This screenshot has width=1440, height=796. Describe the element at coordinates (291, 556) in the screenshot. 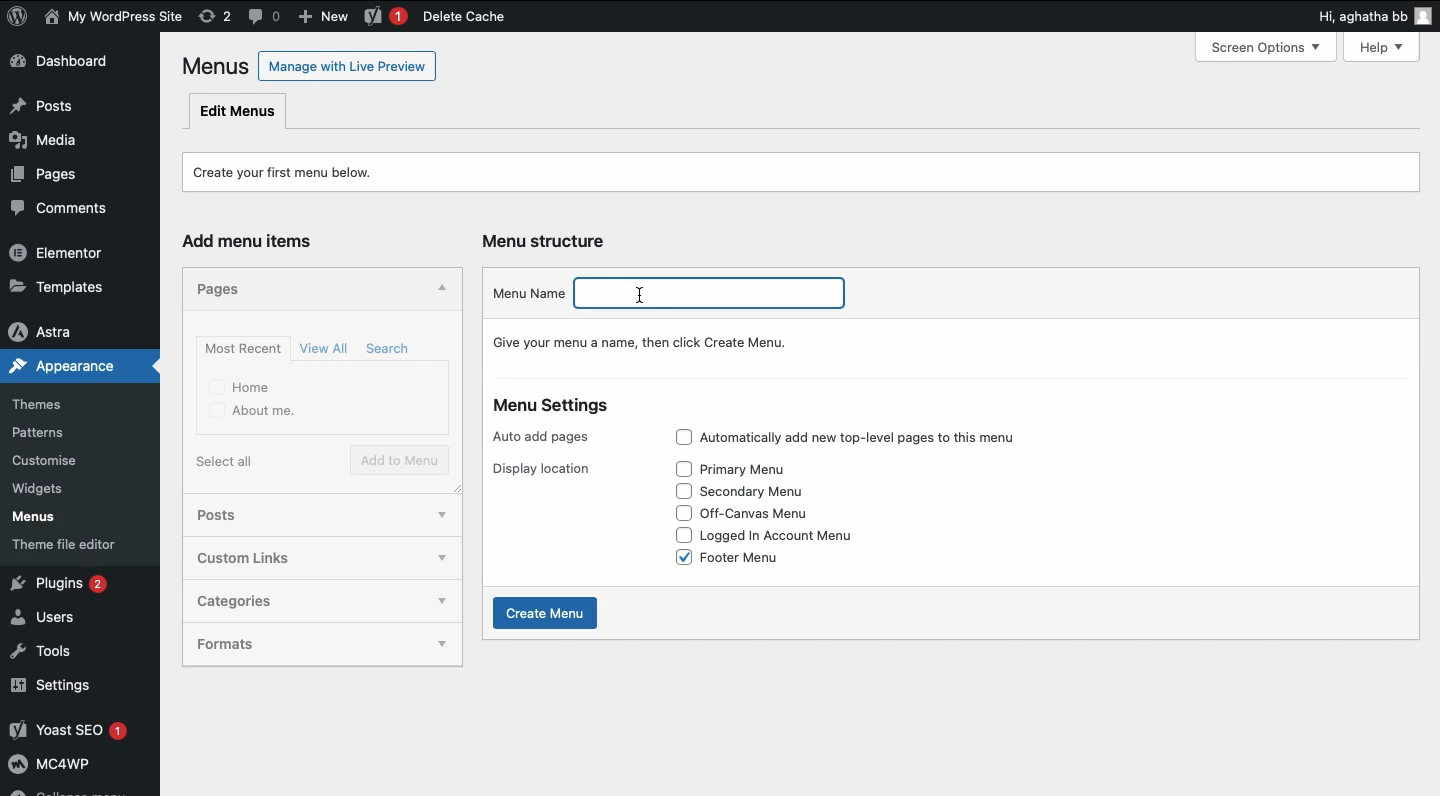

I see `Custom links` at that location.